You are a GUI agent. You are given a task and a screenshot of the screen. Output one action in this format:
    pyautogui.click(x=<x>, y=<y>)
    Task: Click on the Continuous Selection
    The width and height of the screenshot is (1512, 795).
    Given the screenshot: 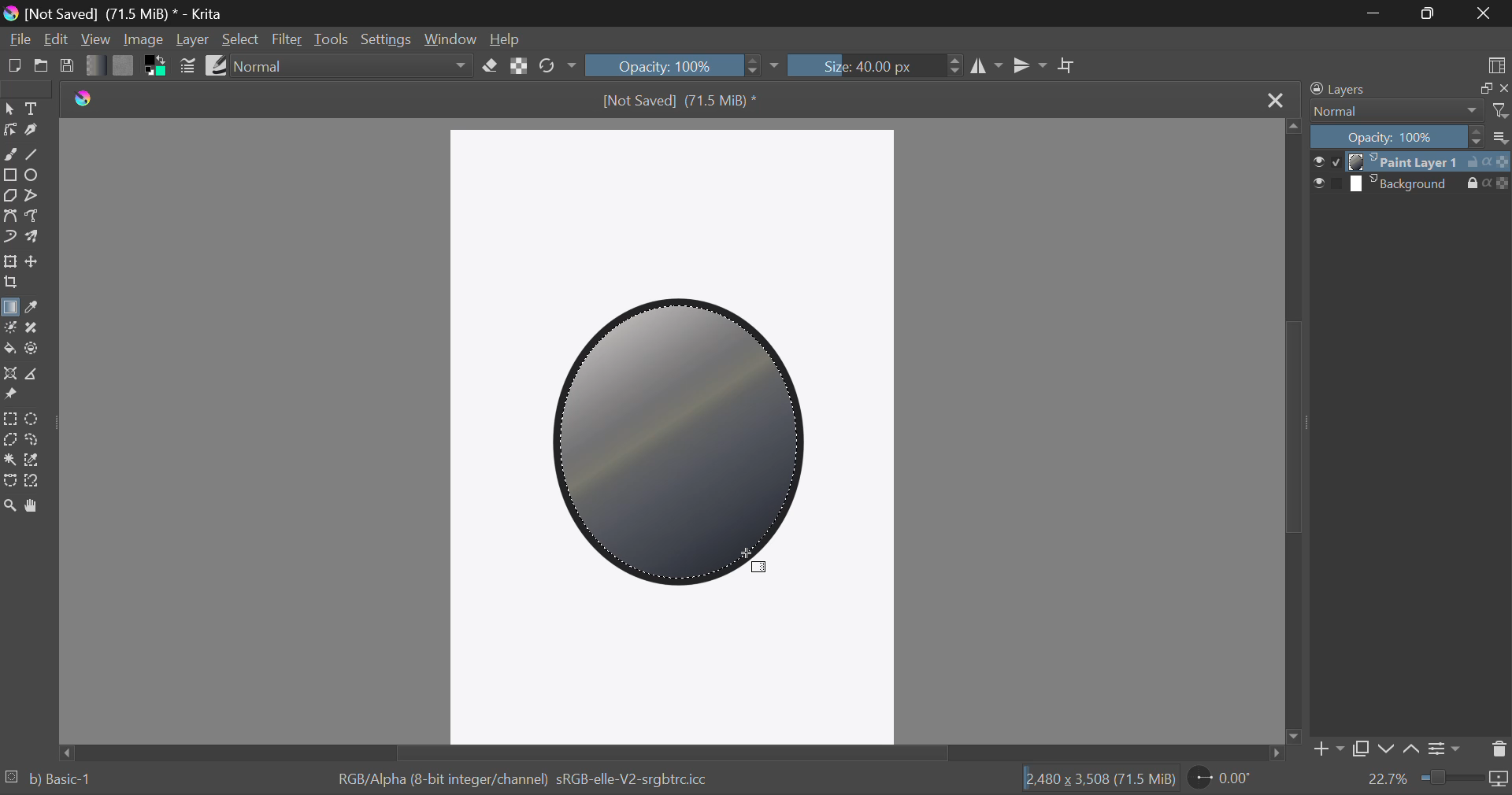 What is the action you would take?
    pyautogui.click(x=11, y=459)
    